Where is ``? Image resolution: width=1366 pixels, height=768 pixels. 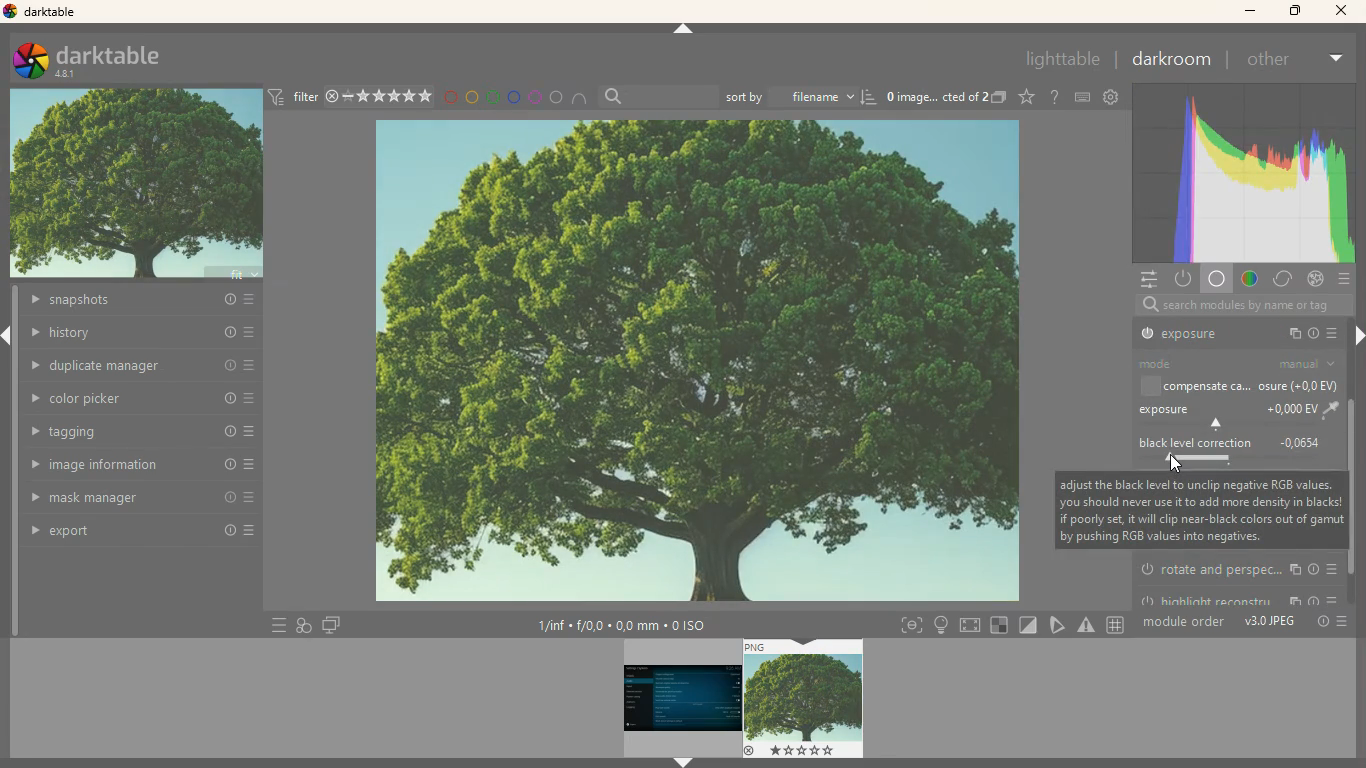
 is located at coordinates (137, 298).